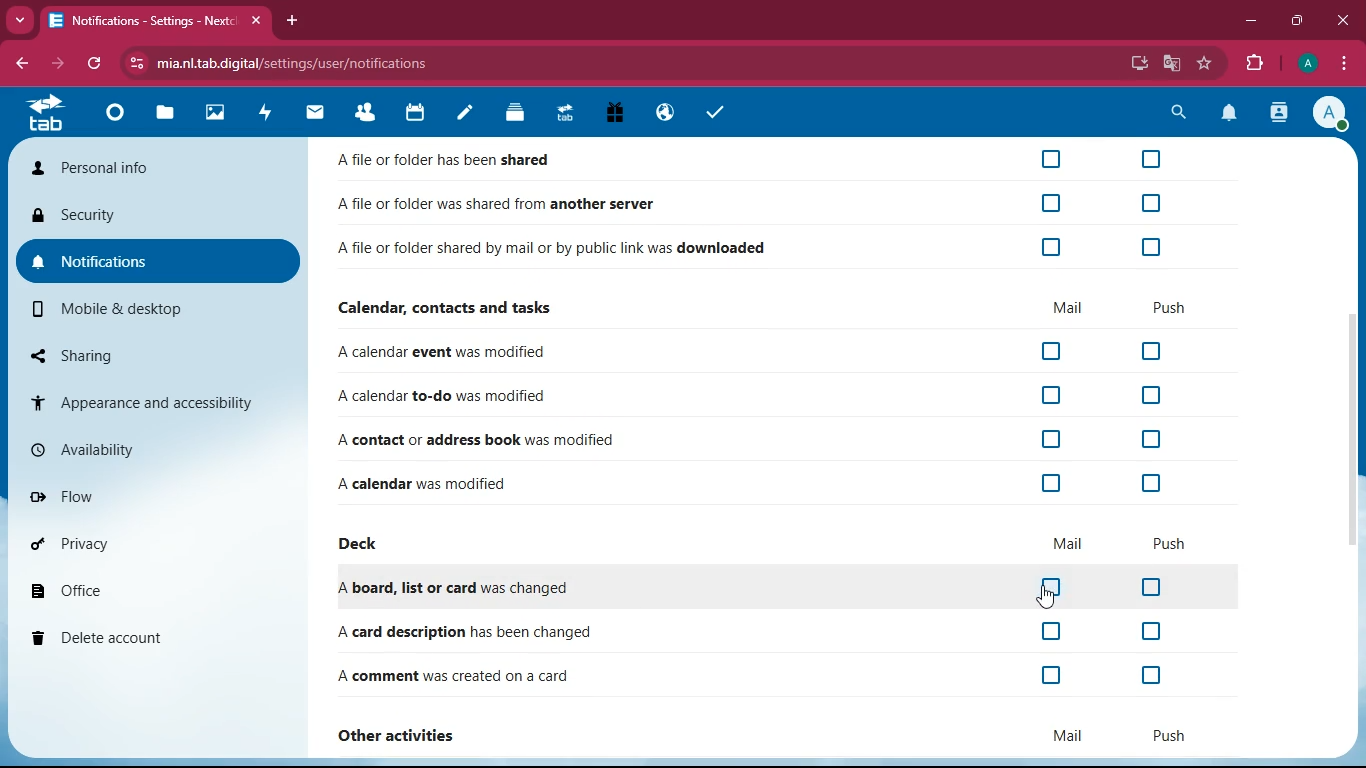  What do you see at coordinates (1170, 537) in the screenshot?
I see `push` at bounding box center [1170, 537].